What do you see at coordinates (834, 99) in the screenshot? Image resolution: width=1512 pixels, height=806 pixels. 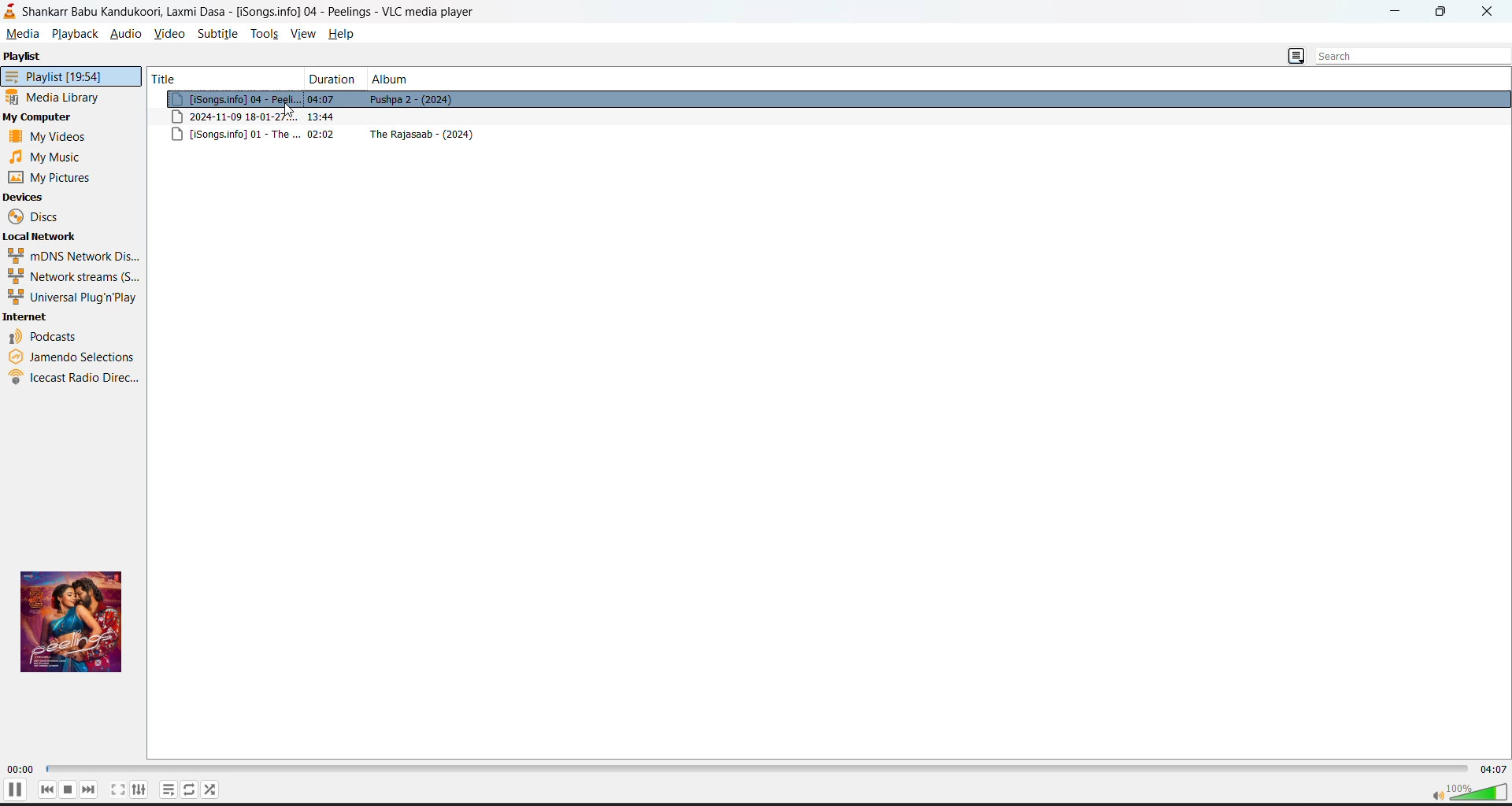 I see `song` at bounding box center [834, 99].